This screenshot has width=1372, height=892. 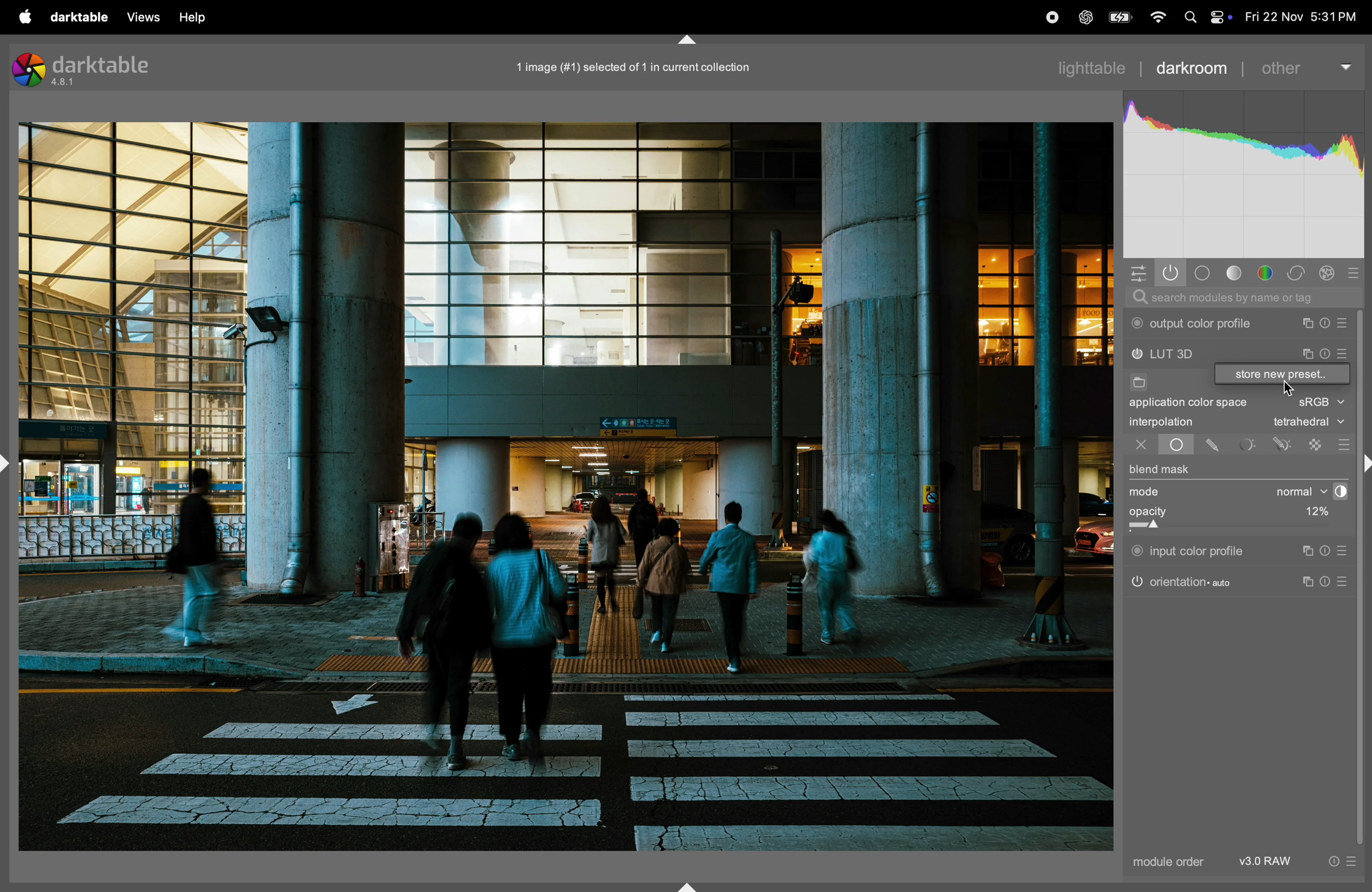 I want to click on raster mask, so click(x=1317, y=444).